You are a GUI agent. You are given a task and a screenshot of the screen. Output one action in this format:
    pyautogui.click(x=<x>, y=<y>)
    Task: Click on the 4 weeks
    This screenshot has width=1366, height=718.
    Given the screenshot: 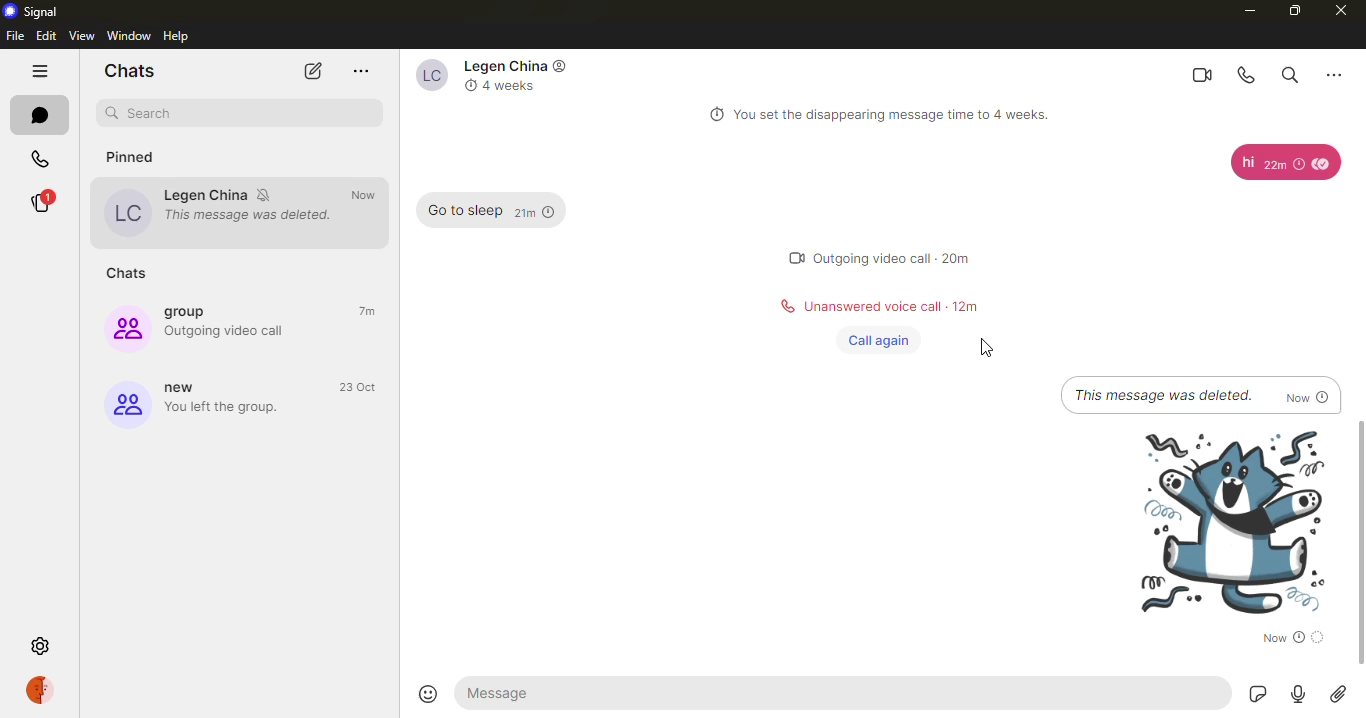 What is the action you would take?
    pyautogui.click(x=510, y=87)
    